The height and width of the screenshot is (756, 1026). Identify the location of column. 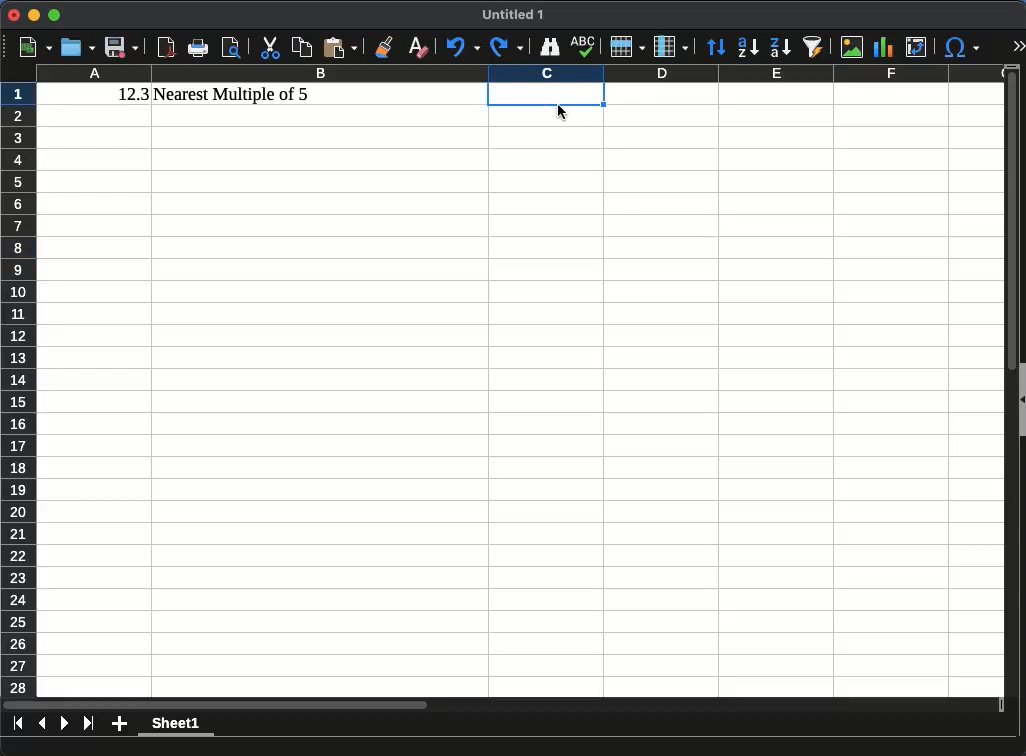
(669, 47).